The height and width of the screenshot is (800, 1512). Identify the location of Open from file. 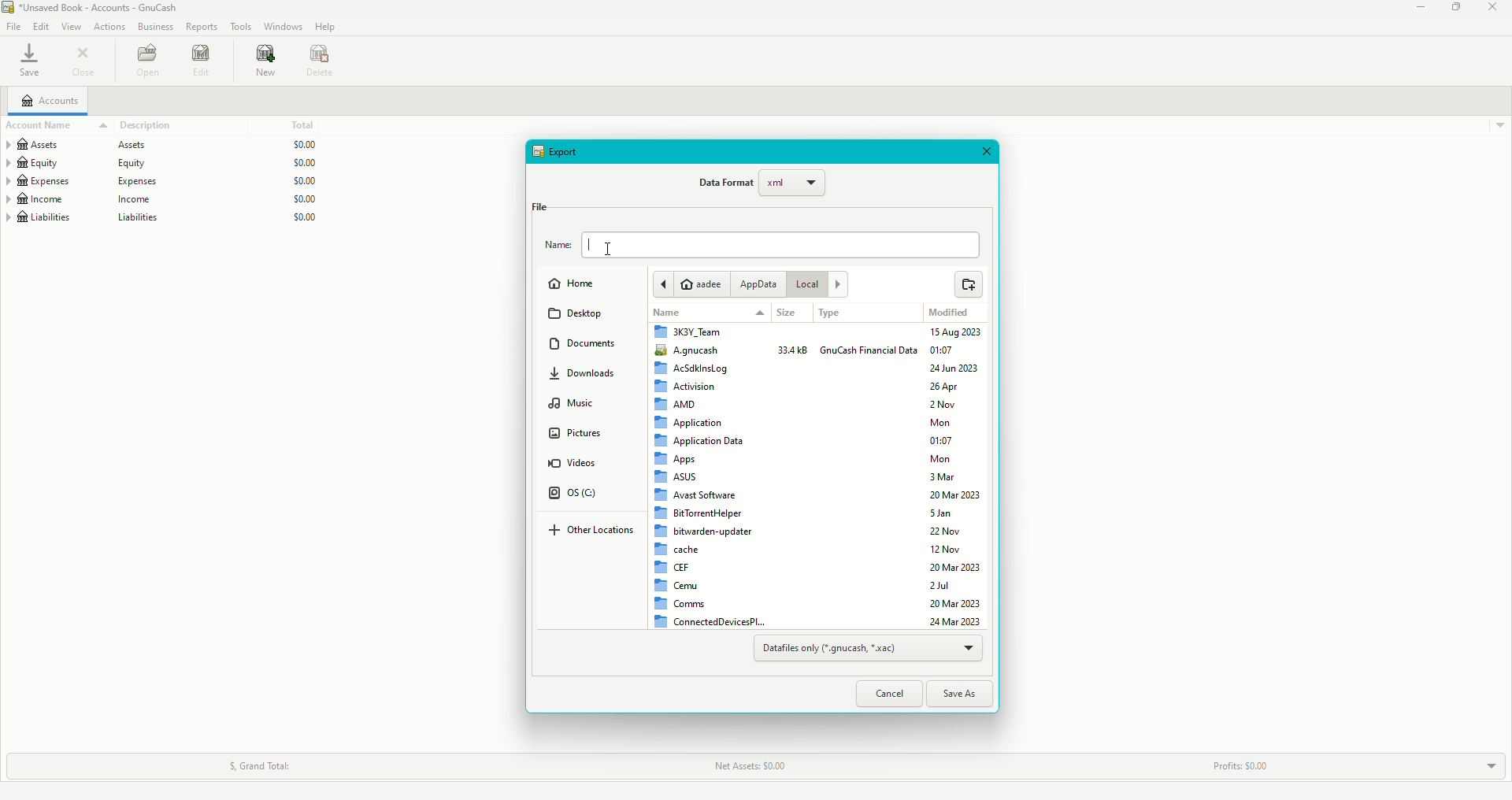
(967, 285).